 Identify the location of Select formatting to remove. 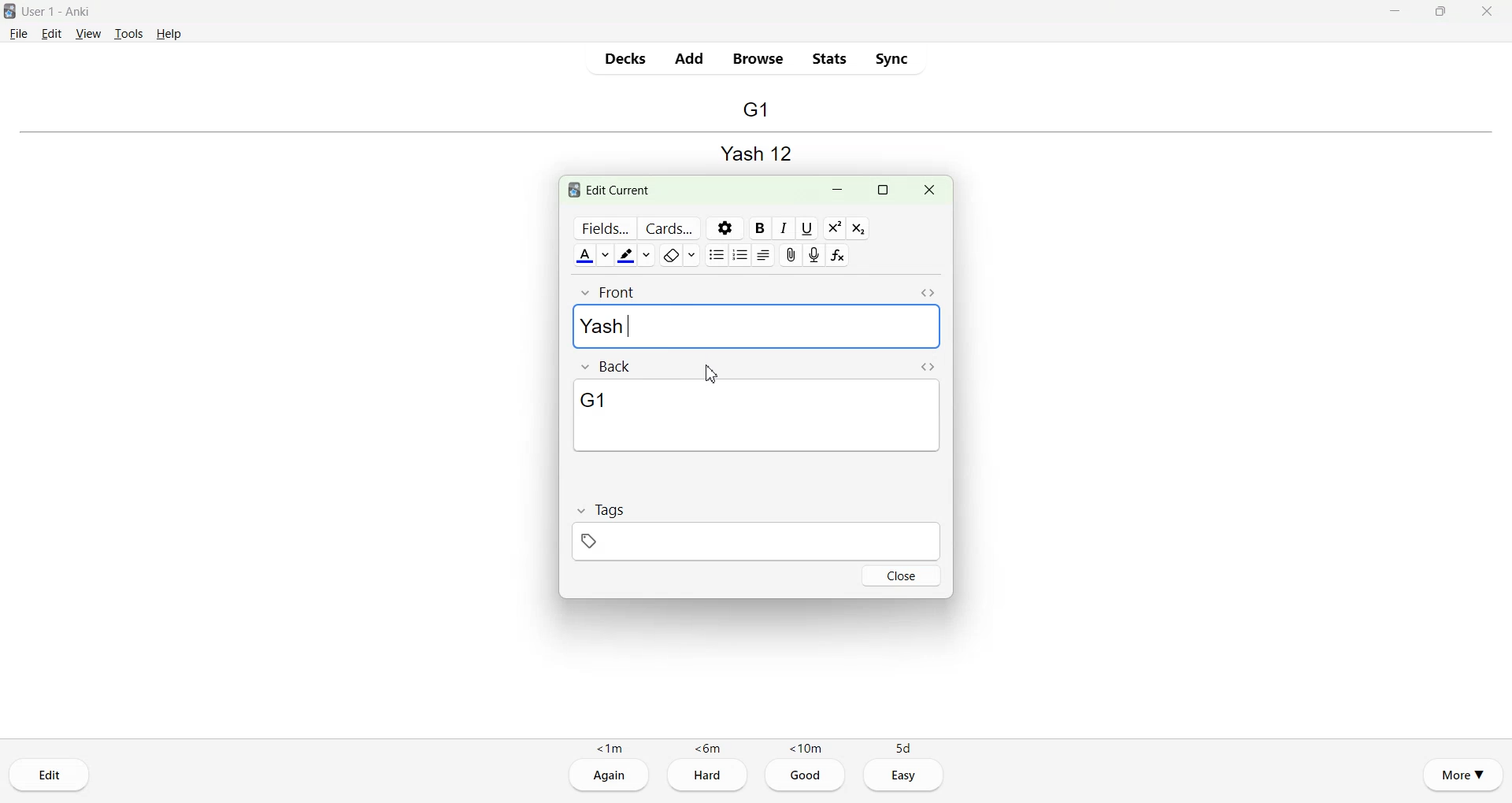
(695, 255).